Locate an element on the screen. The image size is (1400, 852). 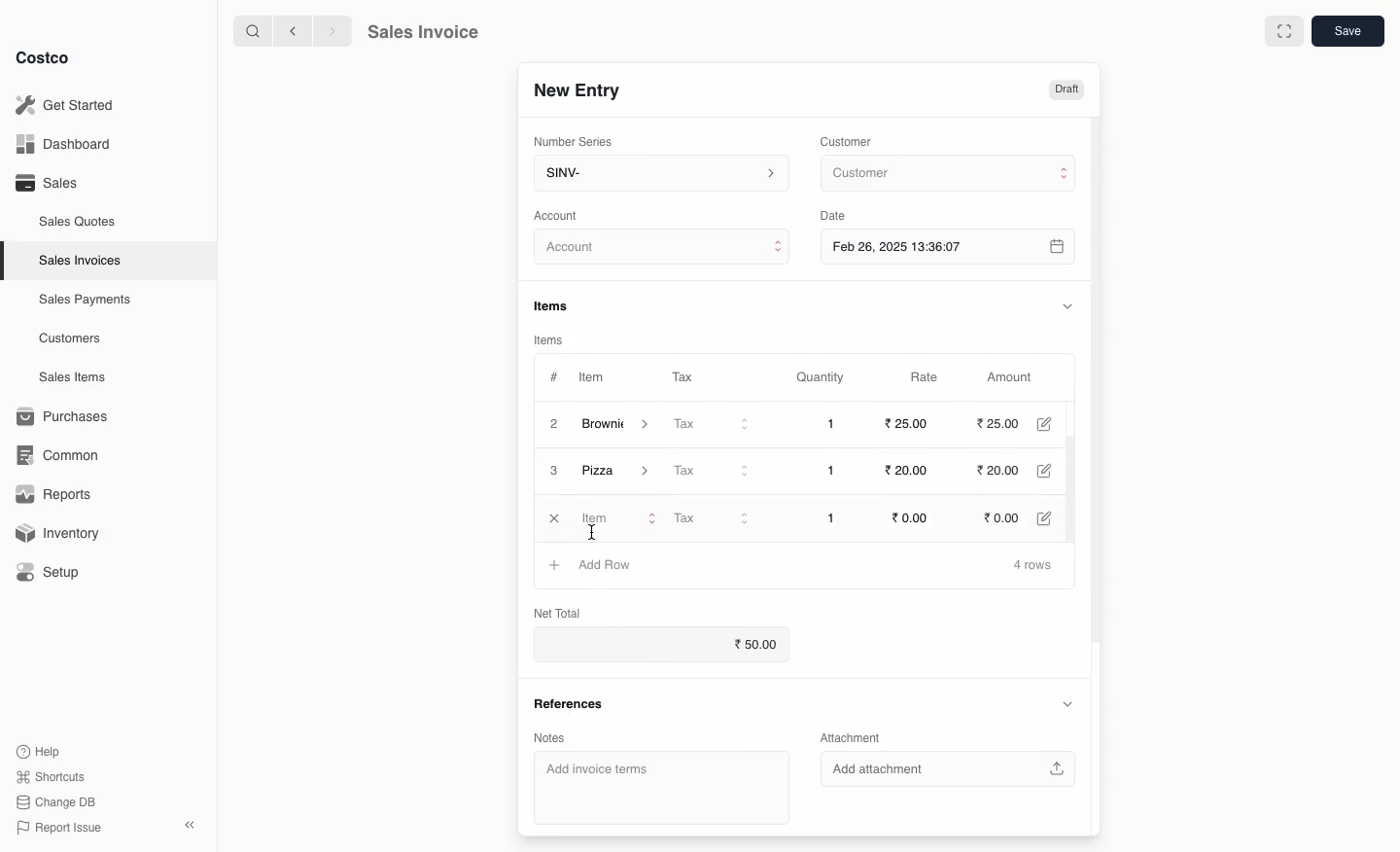
Item is located at coordinates (614, 516).